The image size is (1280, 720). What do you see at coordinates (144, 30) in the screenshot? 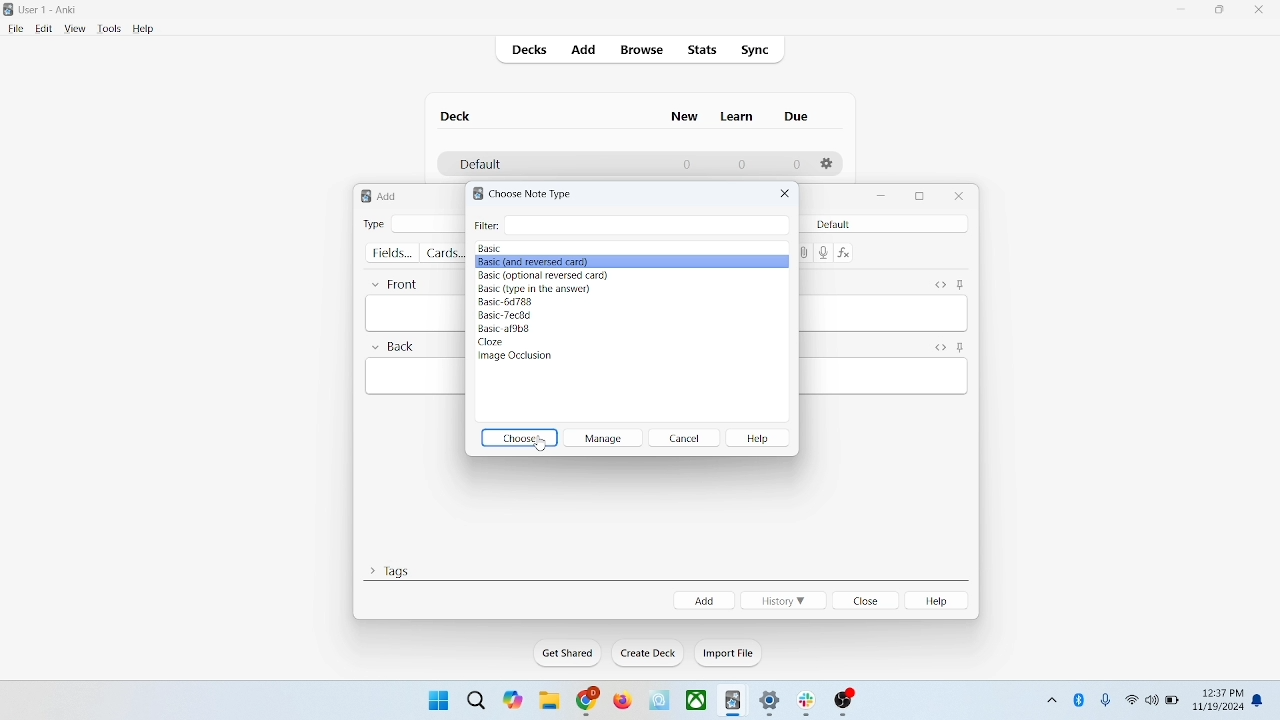
I see `help` at bounding box center [144, 30].